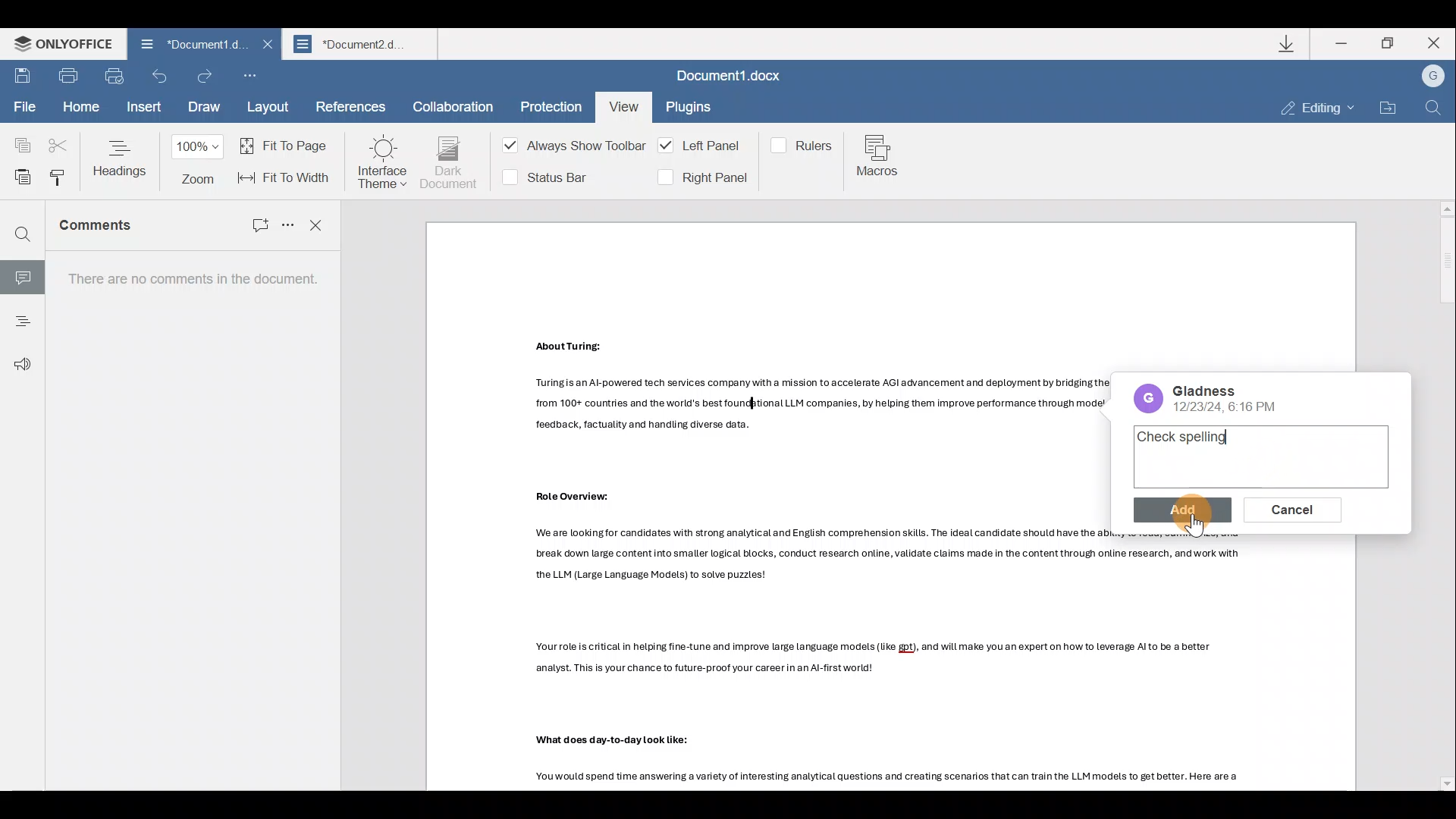  I want to click on Open file location, so click(1386, 108).